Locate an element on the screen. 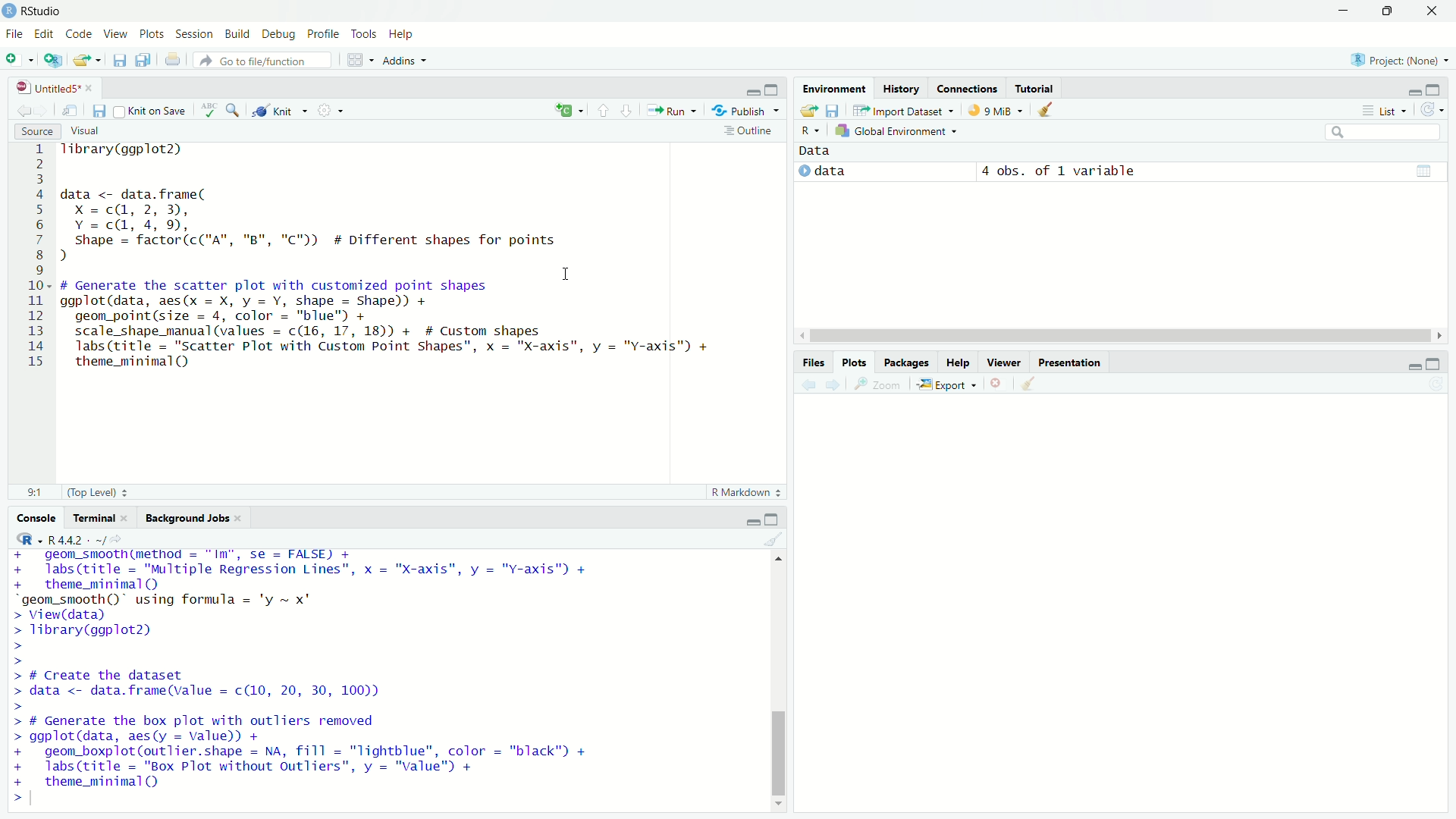 The image size is (1456, 819). Global Environment is located at coordinates (896, 132).